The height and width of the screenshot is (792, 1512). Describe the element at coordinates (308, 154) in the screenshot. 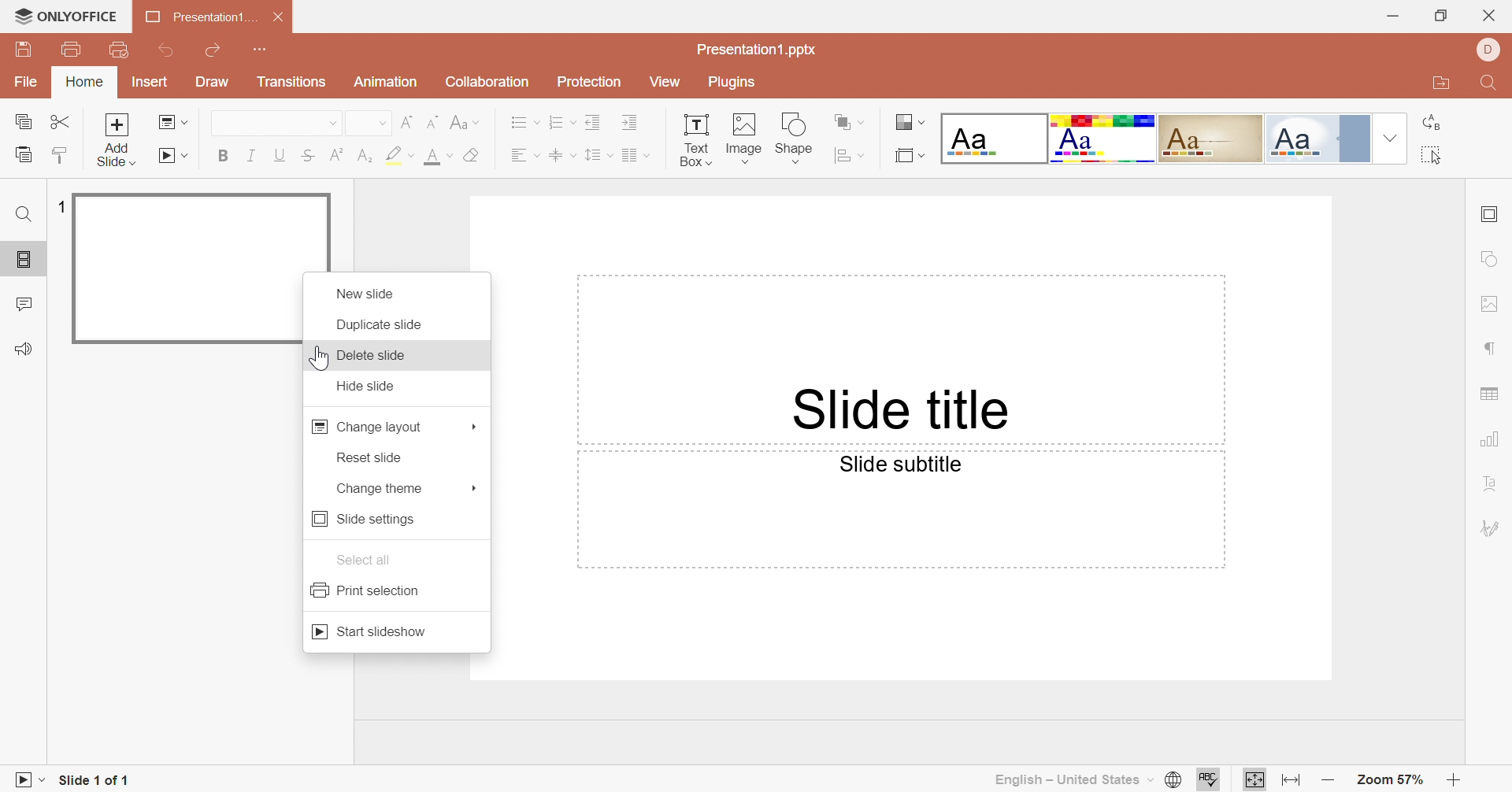

I see `Strikethrough` at that location.